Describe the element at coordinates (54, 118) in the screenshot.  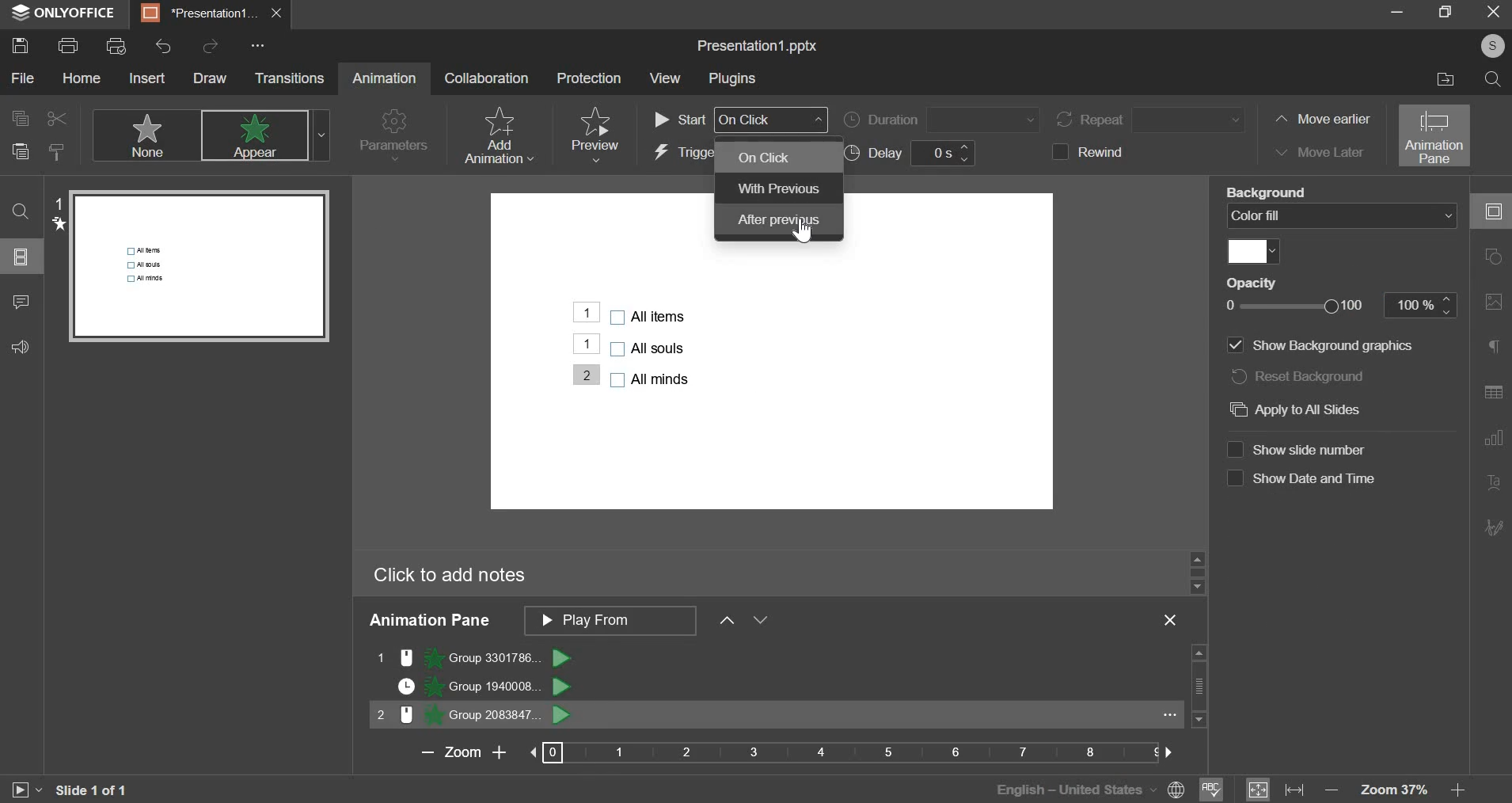
I see `cut` at that location.